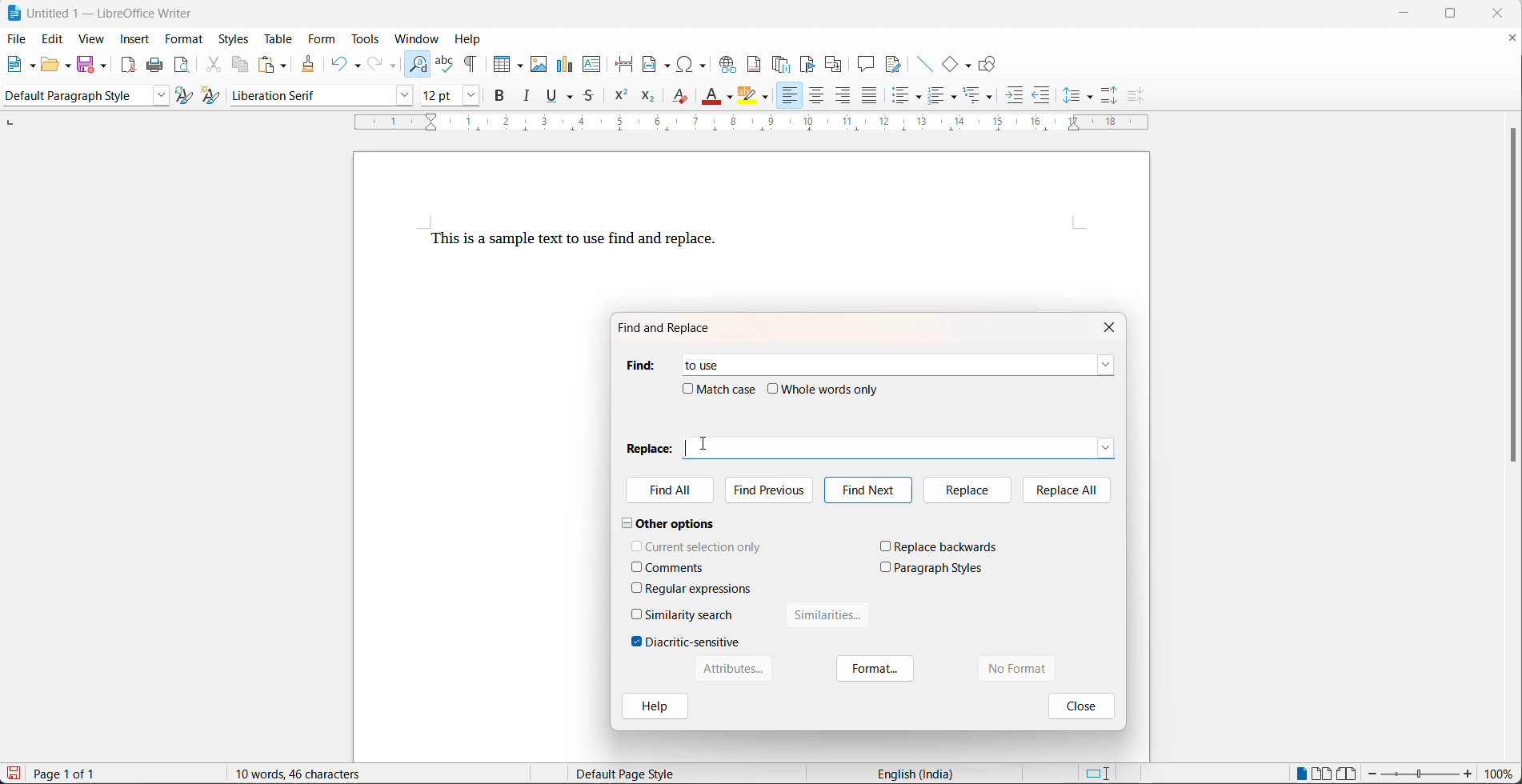  I want to click on close, so click(1079, 705).